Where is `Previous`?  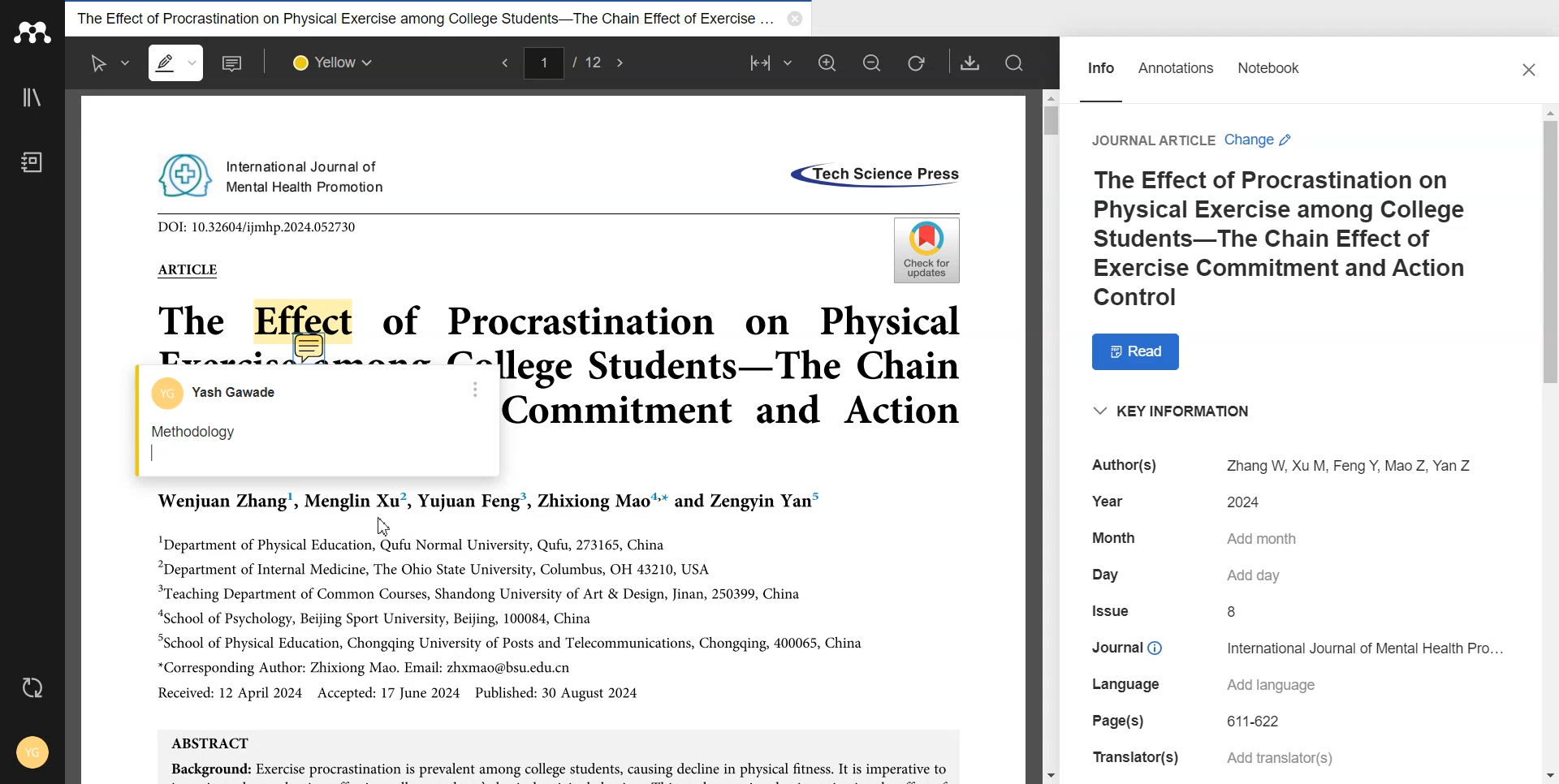 Previous is located at coordinates (502, 62).